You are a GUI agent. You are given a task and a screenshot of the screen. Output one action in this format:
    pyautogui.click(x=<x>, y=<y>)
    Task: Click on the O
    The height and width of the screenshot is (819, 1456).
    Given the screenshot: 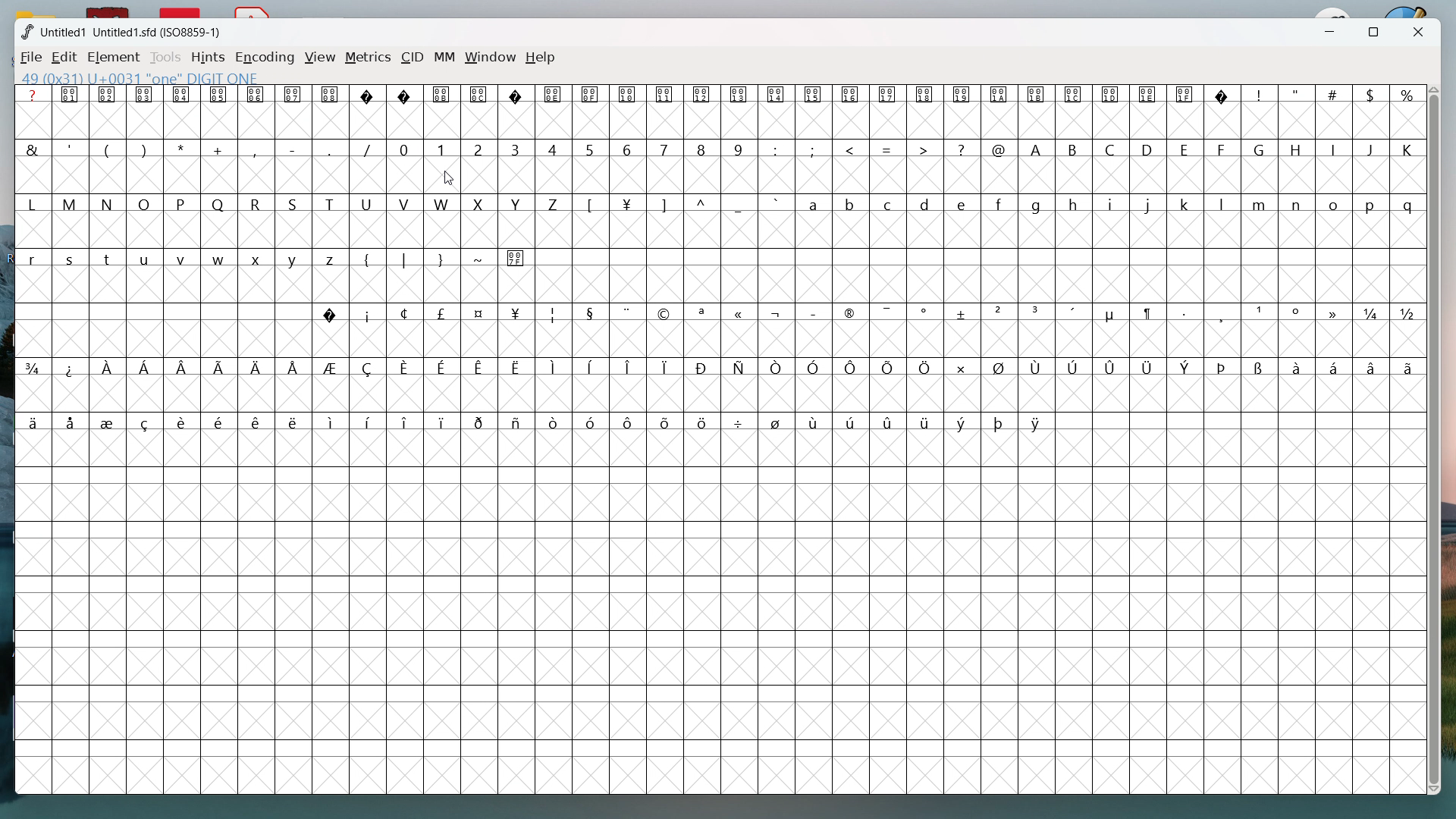 What is the action you would take?
    pyautogui.click(x=144, y=202)
    